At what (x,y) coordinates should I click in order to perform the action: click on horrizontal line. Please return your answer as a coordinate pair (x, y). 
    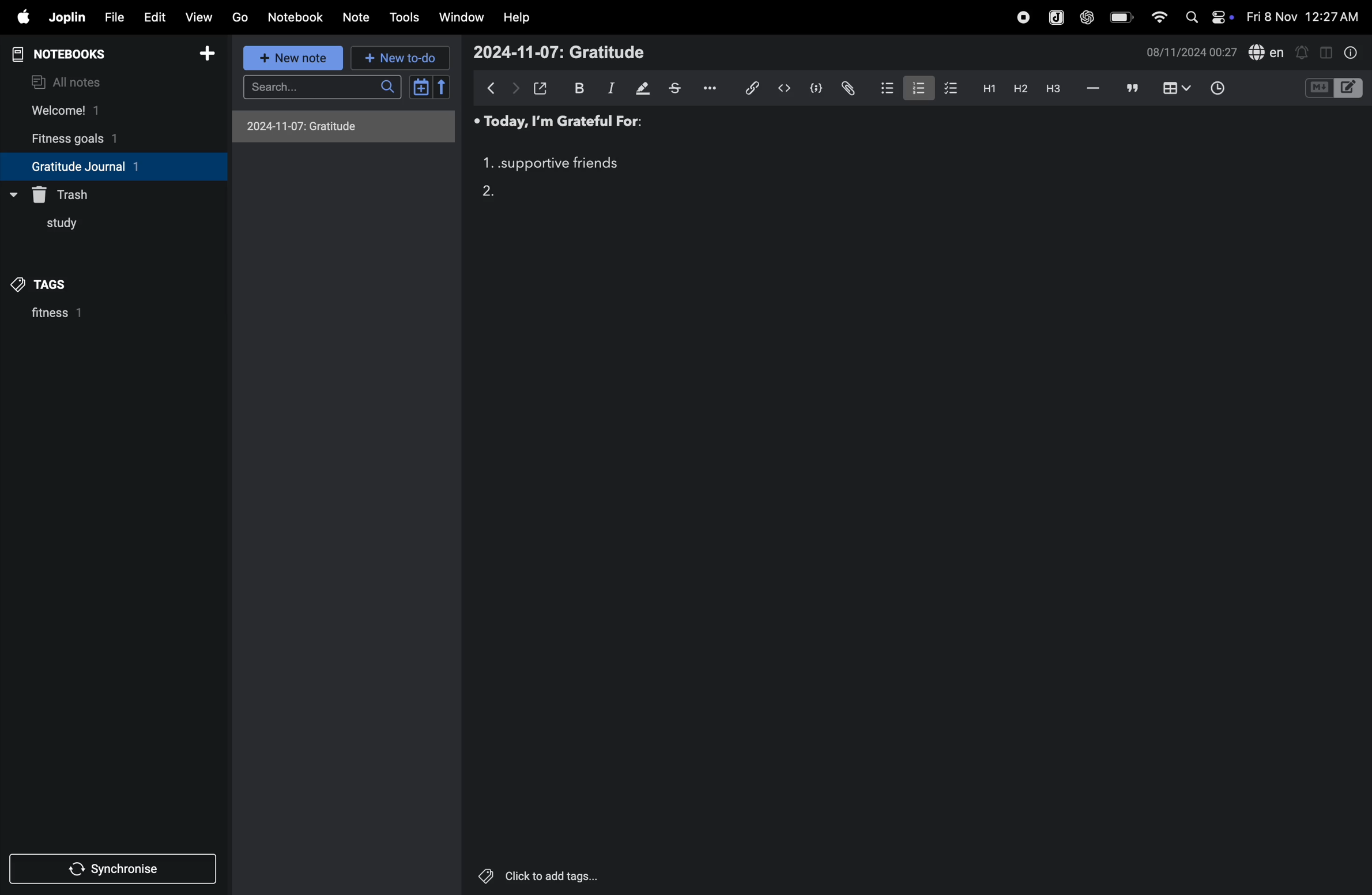
    Looking at the image, I should click on (1094, 89).